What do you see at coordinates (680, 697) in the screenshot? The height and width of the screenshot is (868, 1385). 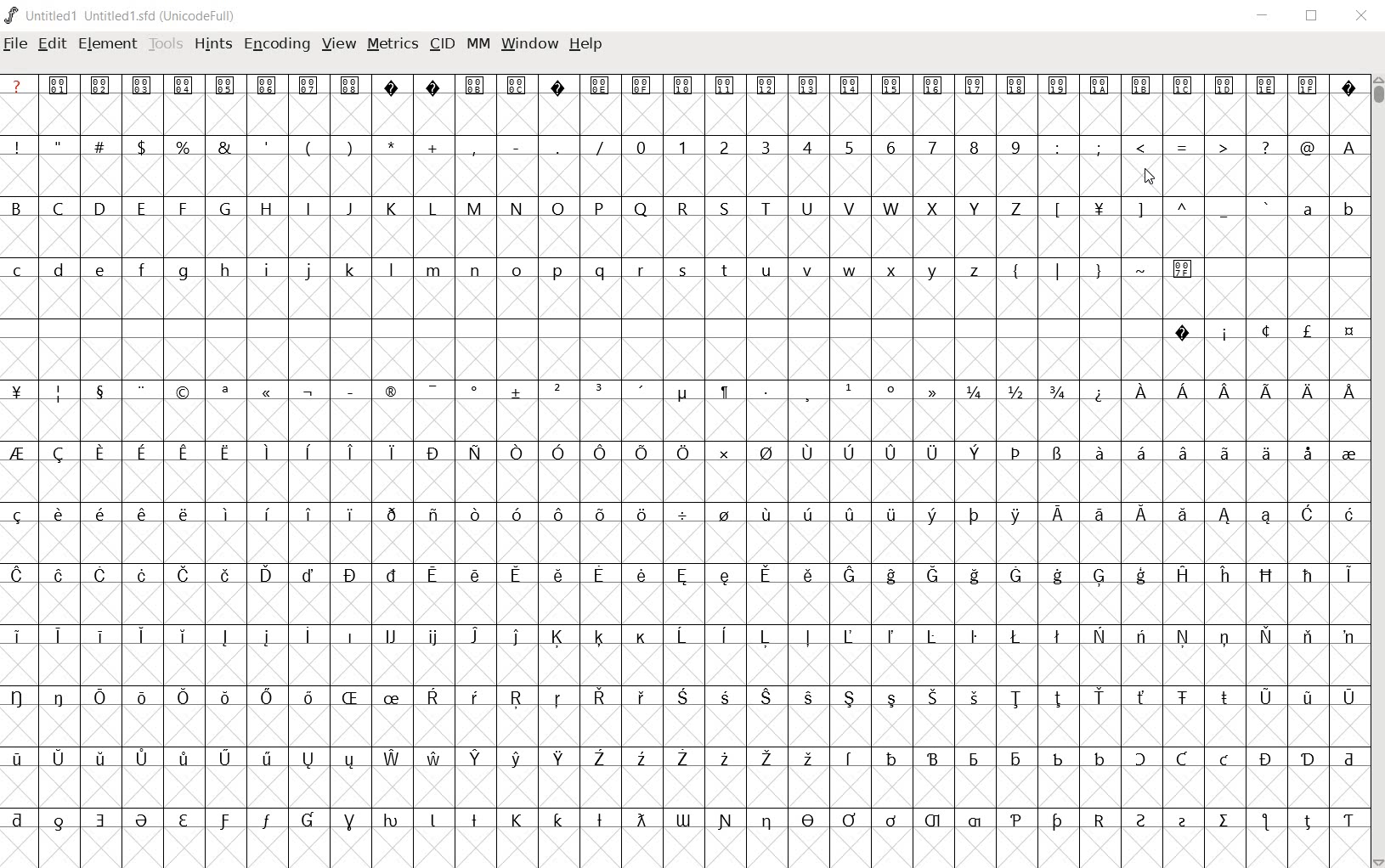 I see `` at bounding box center [680, 697].